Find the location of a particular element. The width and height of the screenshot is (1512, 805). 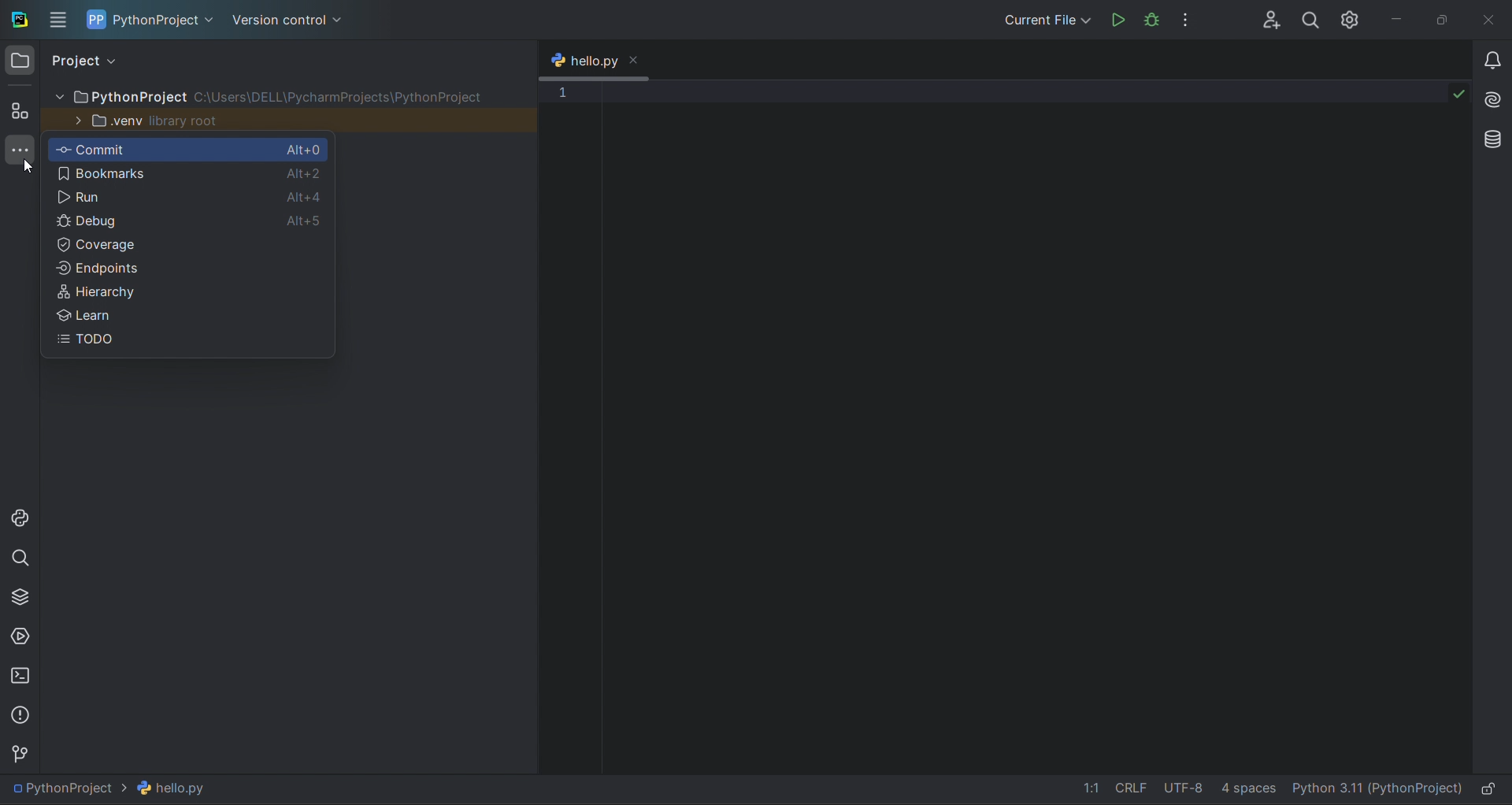

database is located at coordinates (1494, 137).